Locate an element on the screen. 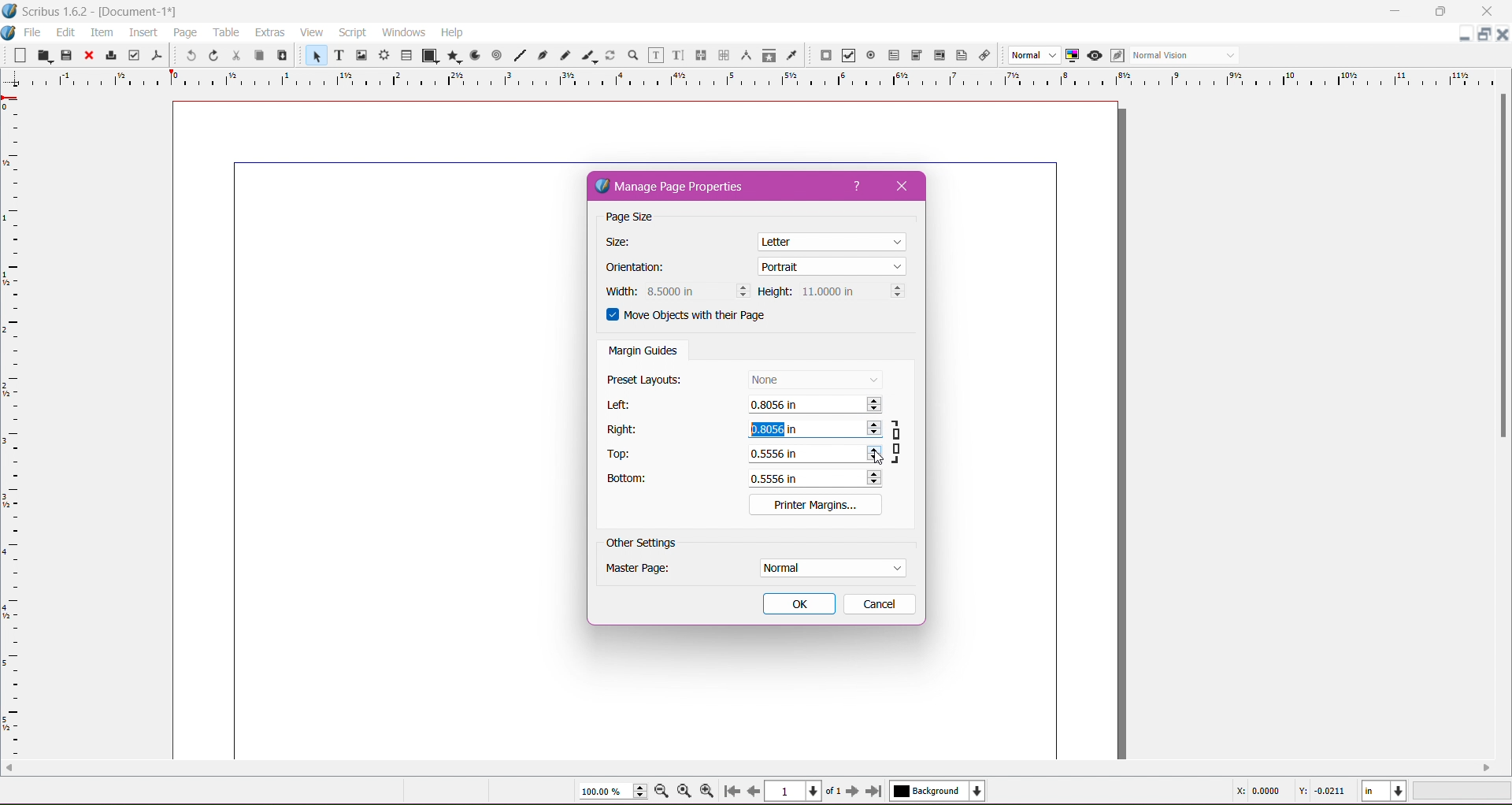 The height and width of the screenshot is (805, 1512). Cursor Coordinate -Y  is located at coordinates (1320, 792).